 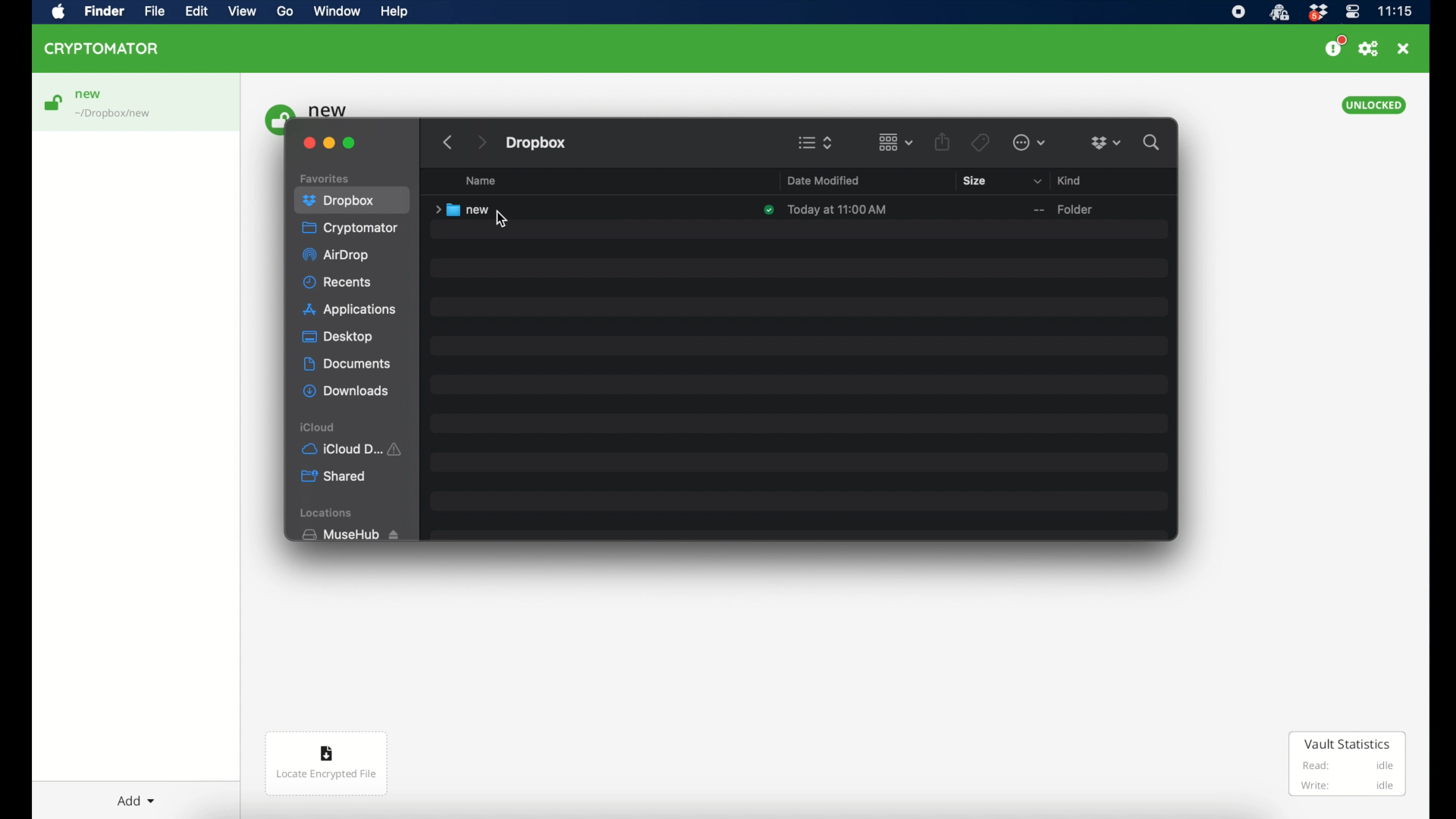 What do you see at coordinates (89, 95) in the screenshot?
I see `new` at bounding box center [89, 95].